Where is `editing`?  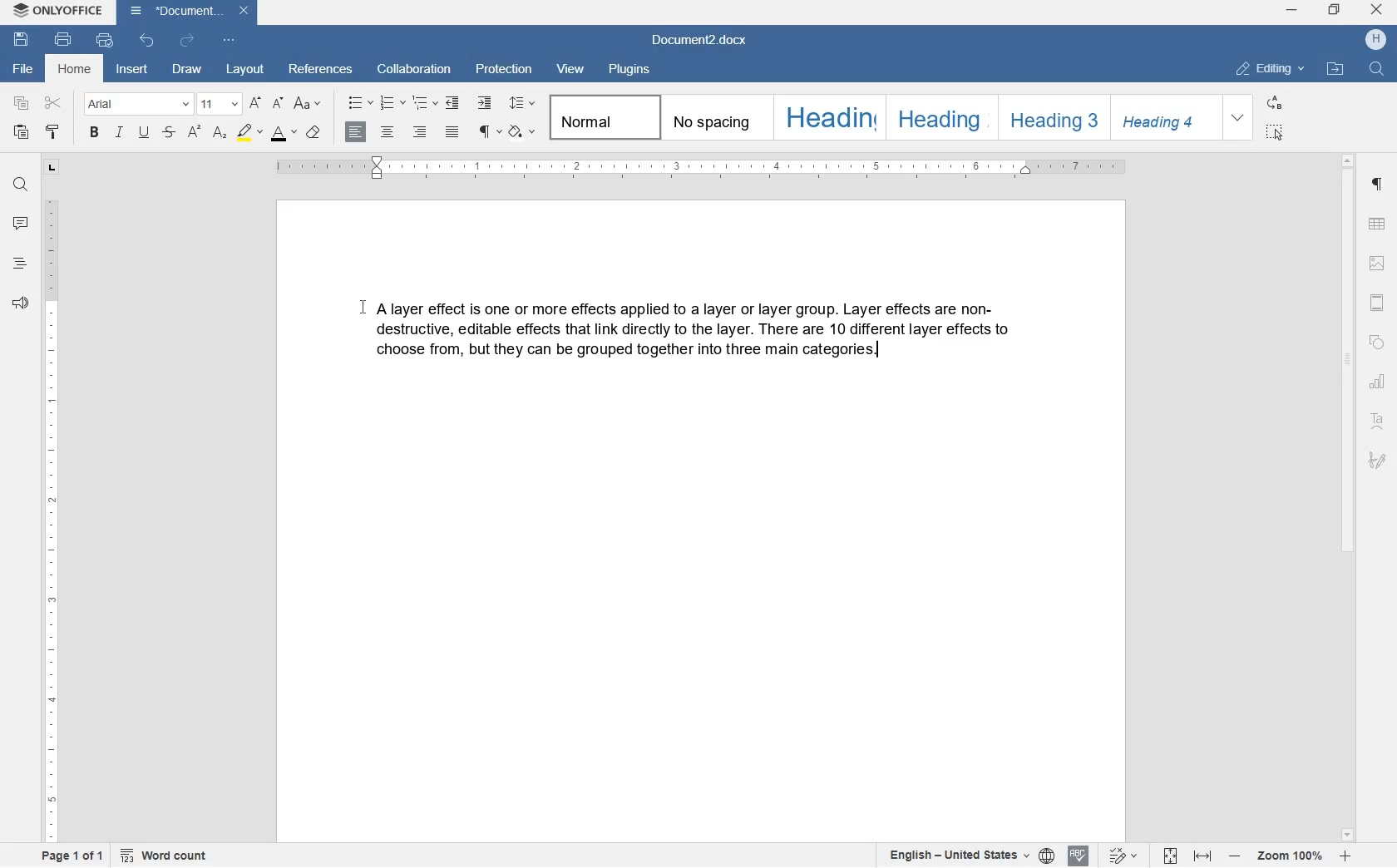
editing is located at coordinates (1271, 71).